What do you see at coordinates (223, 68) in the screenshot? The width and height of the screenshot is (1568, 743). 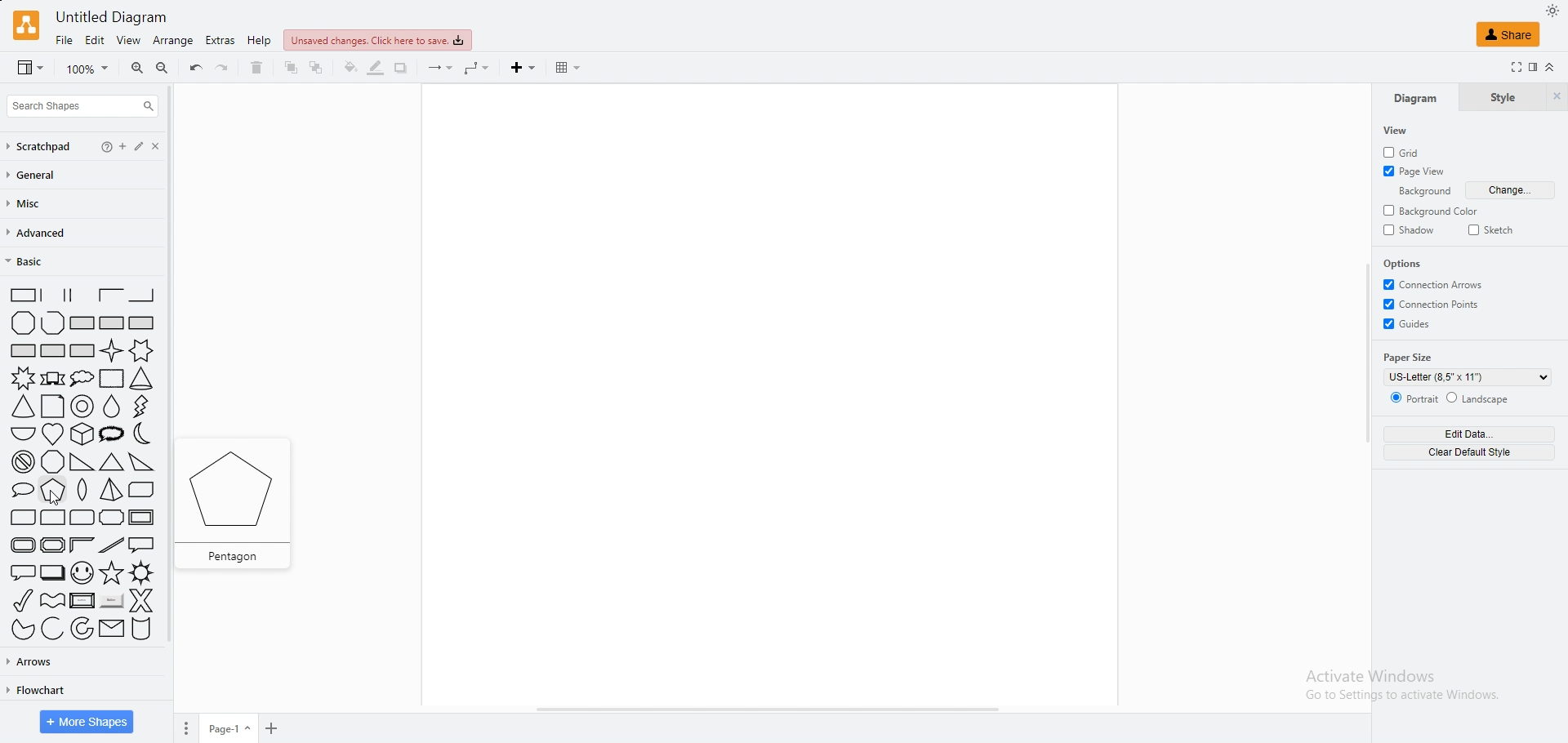 I see `redo` at bounding box center [223, 68].